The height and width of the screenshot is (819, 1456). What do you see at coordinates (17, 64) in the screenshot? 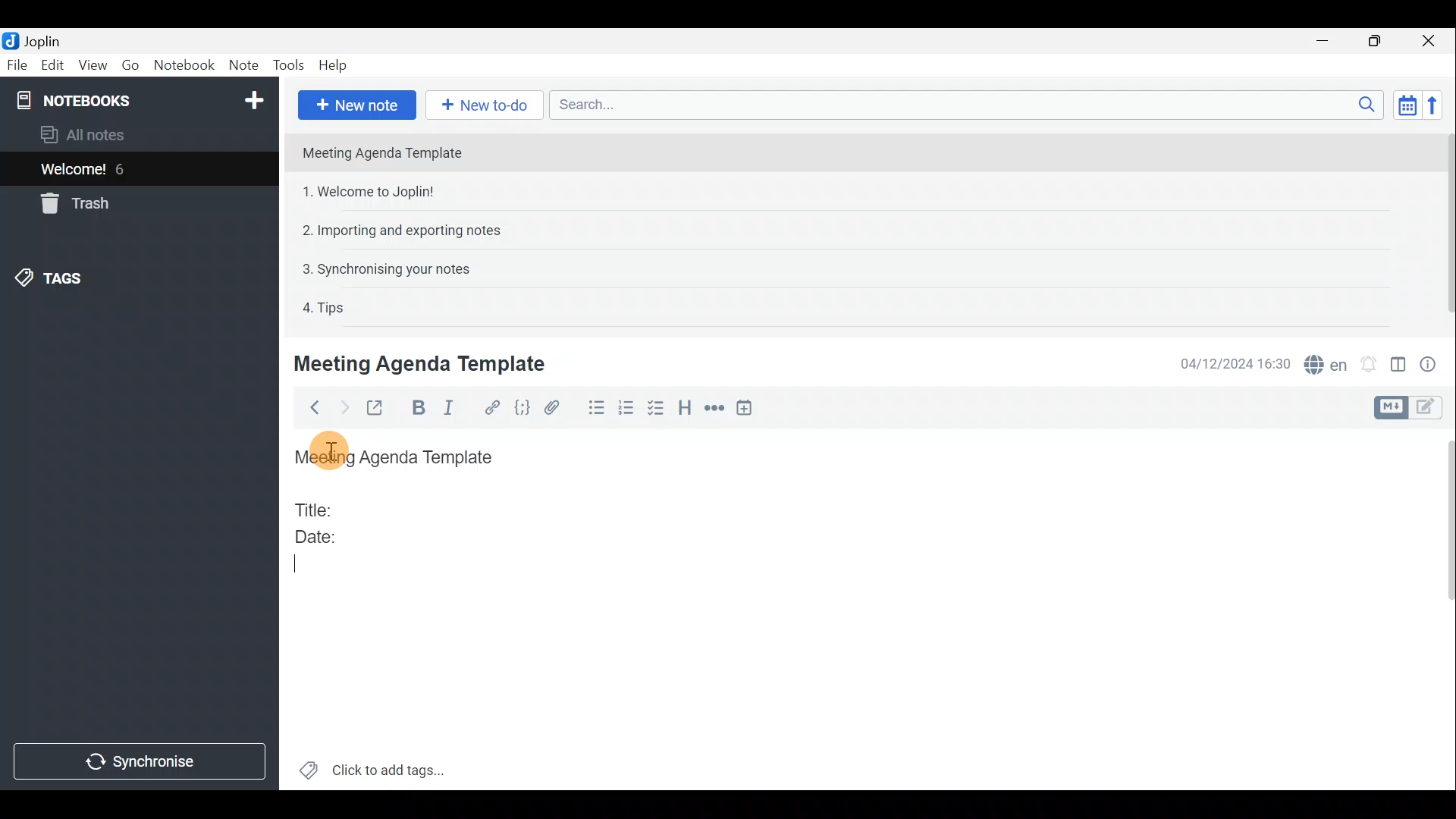
I see `File` at bounding box center [17, 64].